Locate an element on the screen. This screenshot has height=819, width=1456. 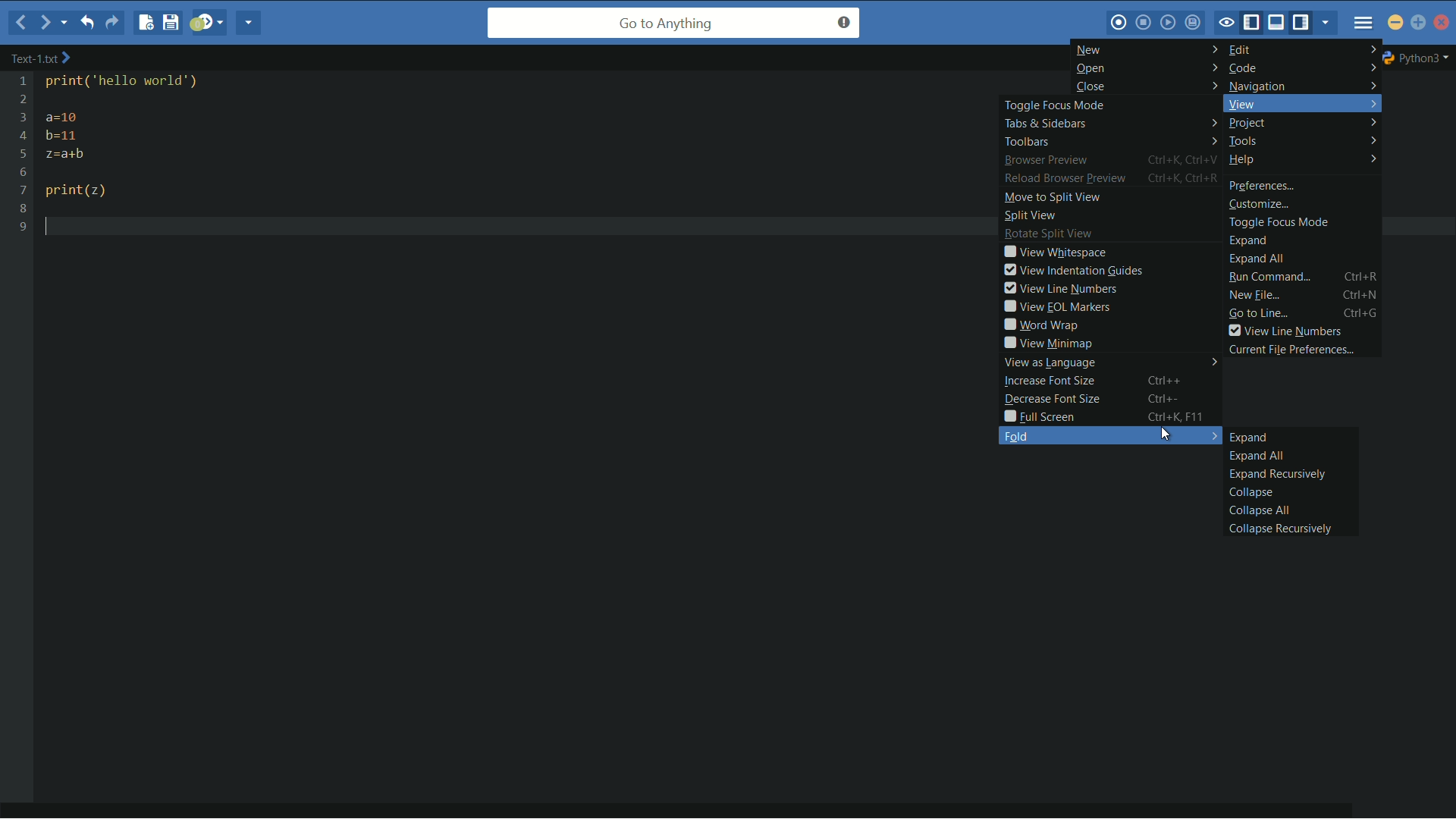
recent locations is located at coordinates (66, 24).